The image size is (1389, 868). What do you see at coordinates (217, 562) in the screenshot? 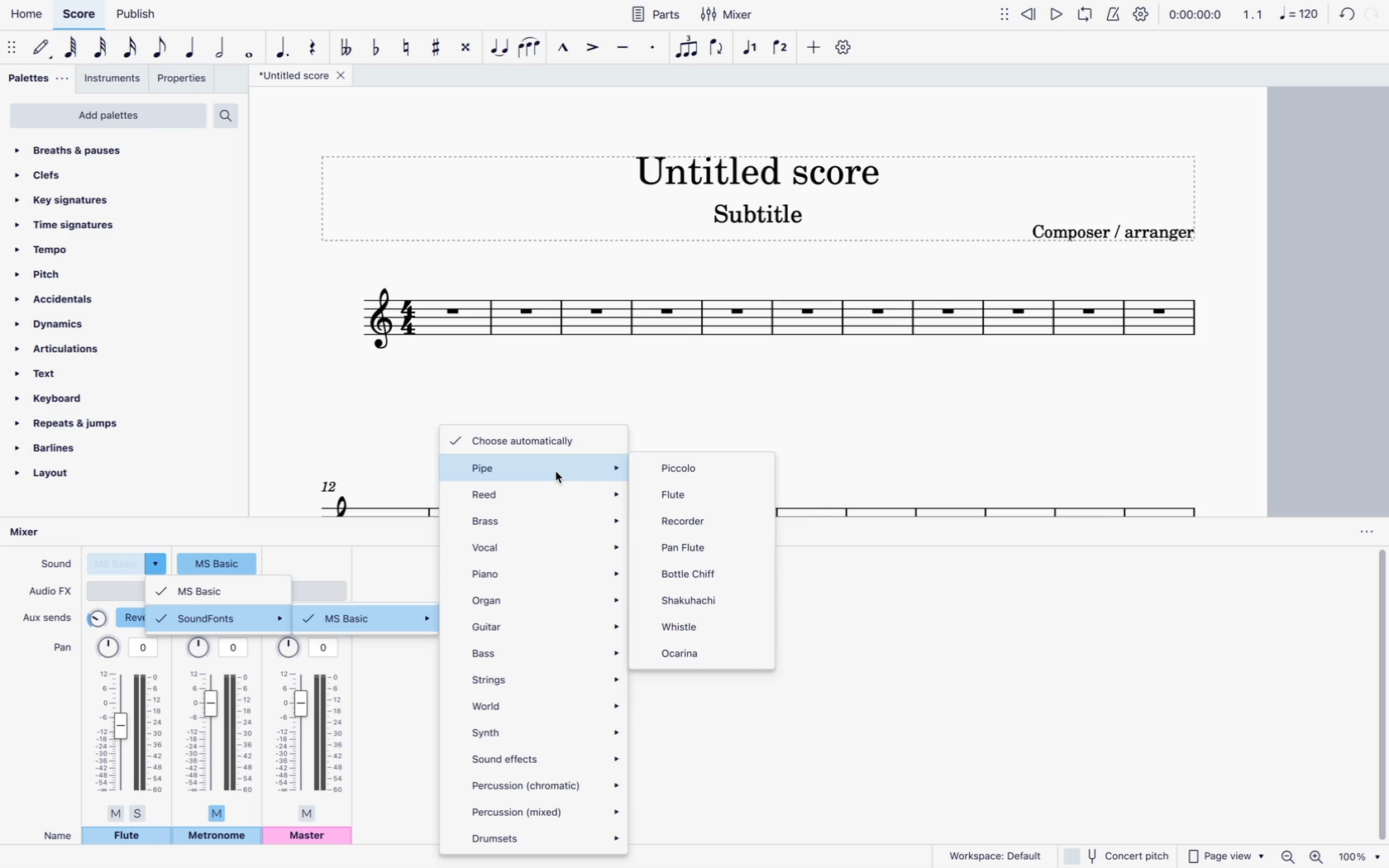
I see `sound type` at bounding box center [217, 562].